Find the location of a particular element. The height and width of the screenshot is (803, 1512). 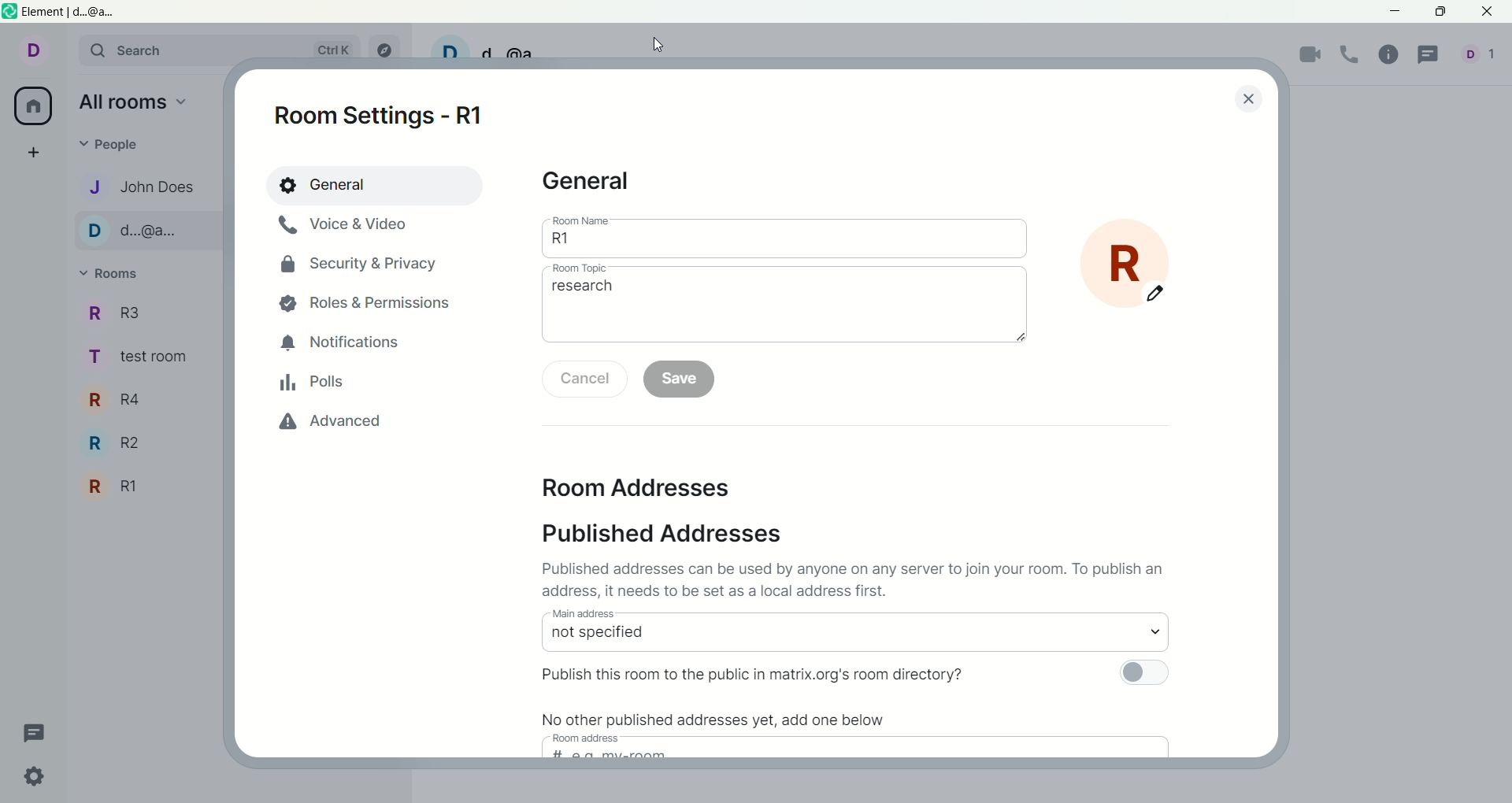

r r1 is located at coordinates (131, 489).